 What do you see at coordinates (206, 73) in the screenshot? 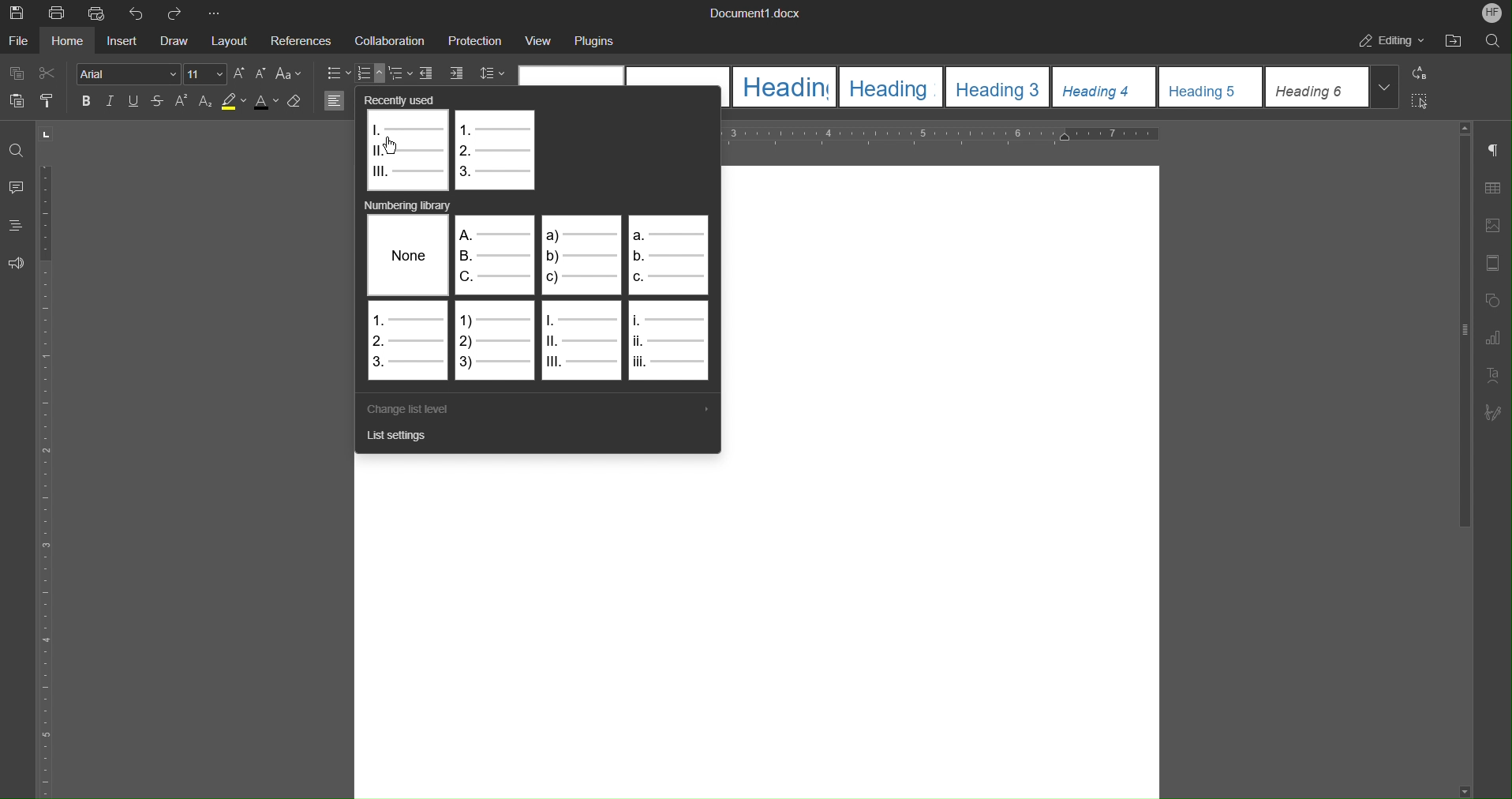
I see `Font size` at bounding box center [206, 73].